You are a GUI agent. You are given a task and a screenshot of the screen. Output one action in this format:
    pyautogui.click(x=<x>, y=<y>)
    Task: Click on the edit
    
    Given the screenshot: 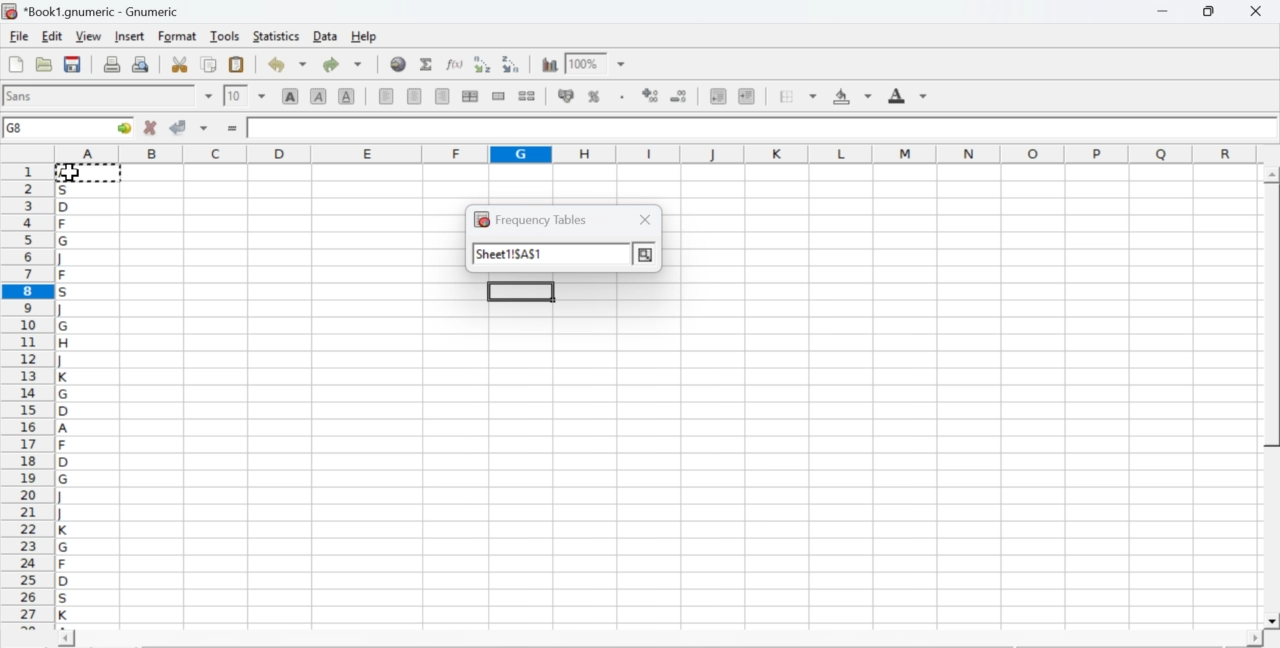 What is the action you would take?
    pyautogui.click(x=52, y=36)
    